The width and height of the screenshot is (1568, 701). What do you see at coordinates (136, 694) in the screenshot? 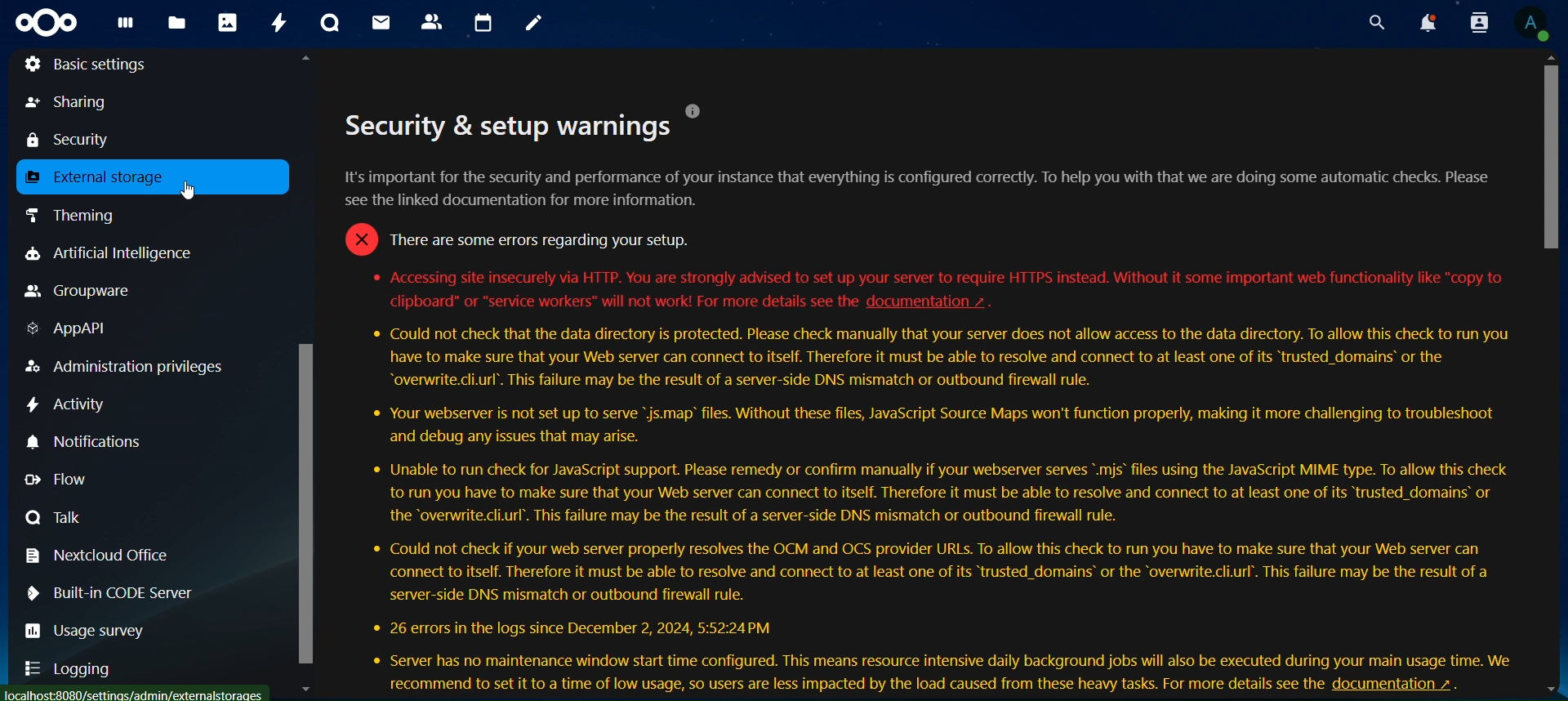
I see `localhost:8080/settings/admin/externalstorages` at bounding box center [136, 694].